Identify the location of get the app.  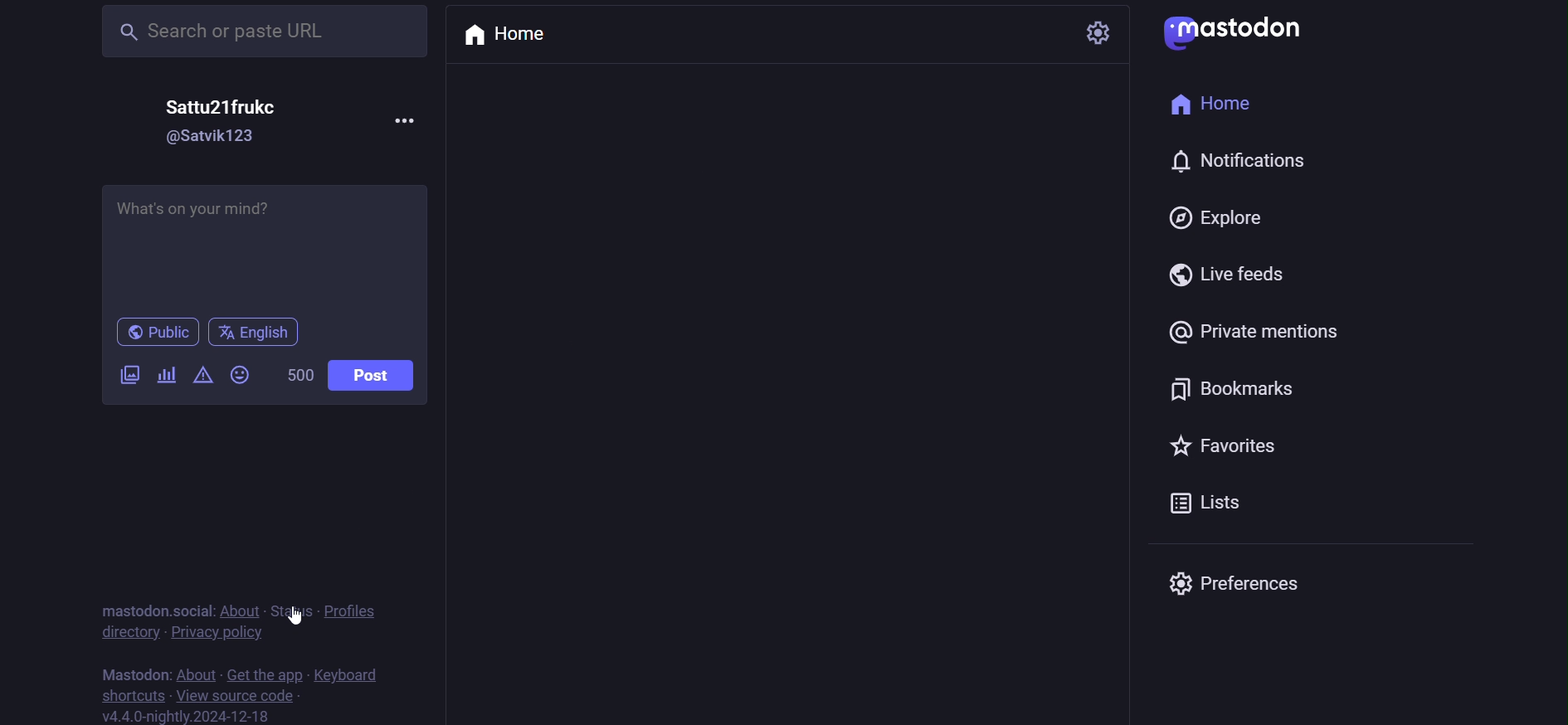
(264, 676).